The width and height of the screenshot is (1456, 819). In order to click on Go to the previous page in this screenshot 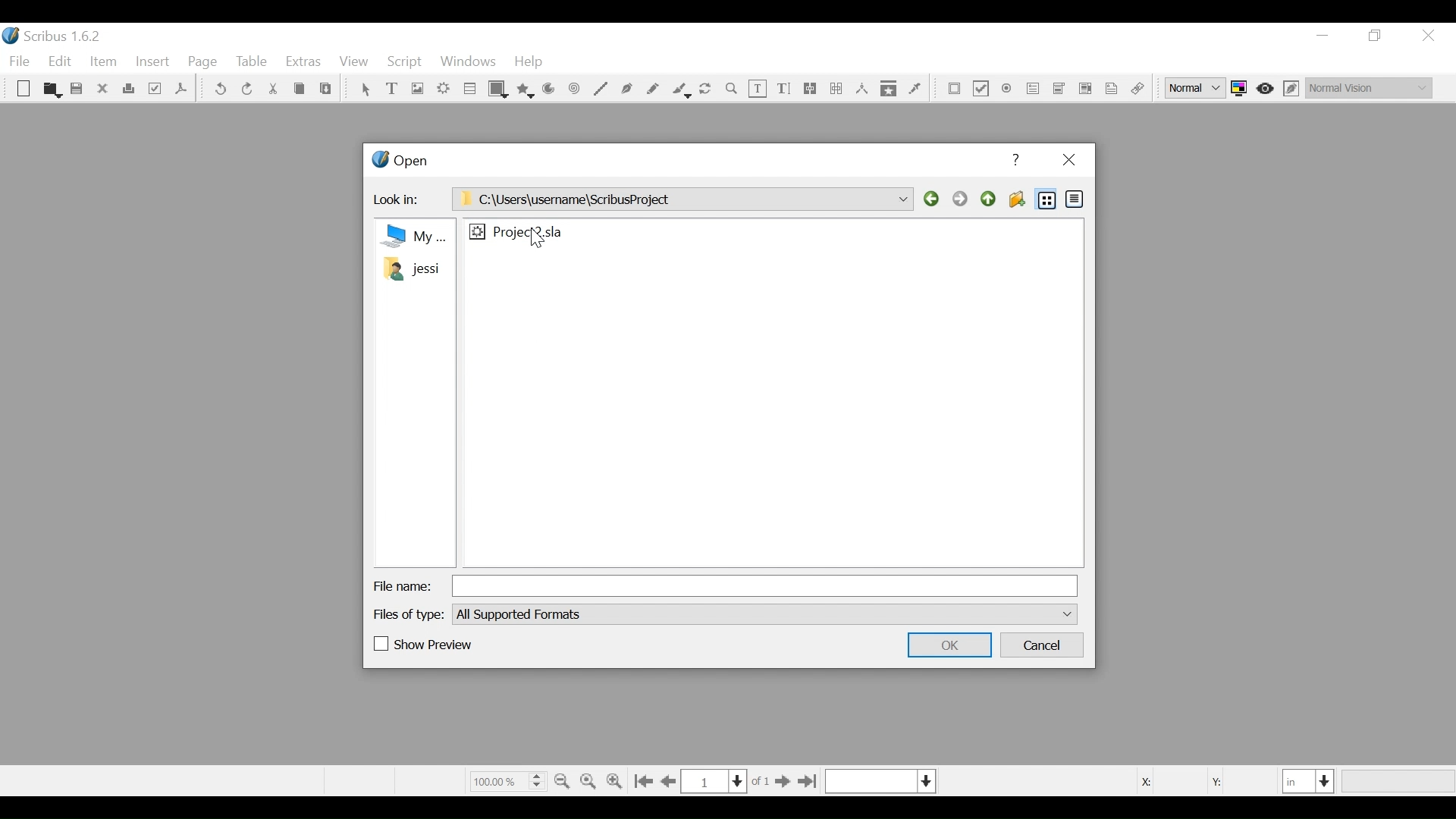, I will do `click(671, 782)`.